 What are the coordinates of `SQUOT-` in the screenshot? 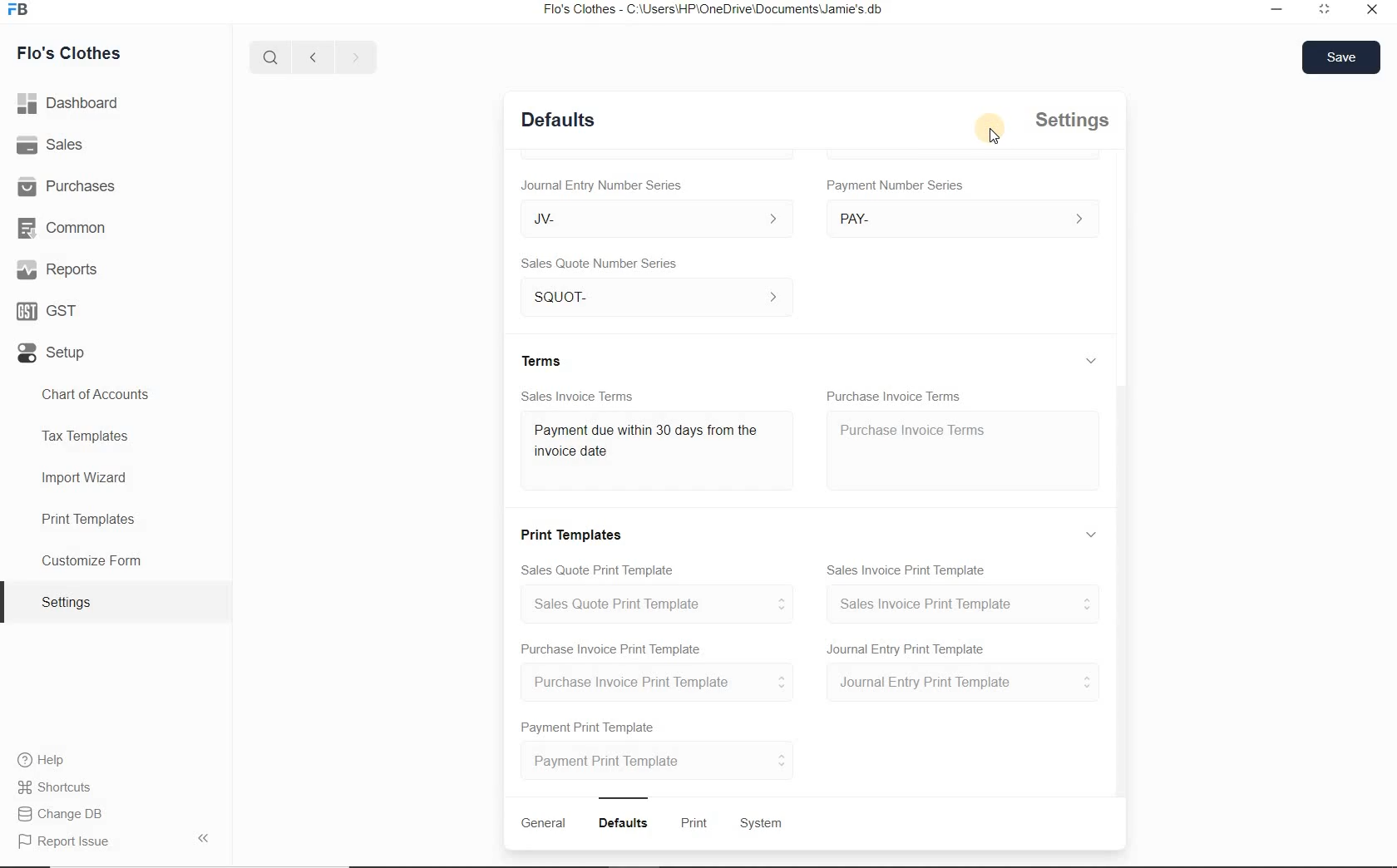 It's located at (656, 297).